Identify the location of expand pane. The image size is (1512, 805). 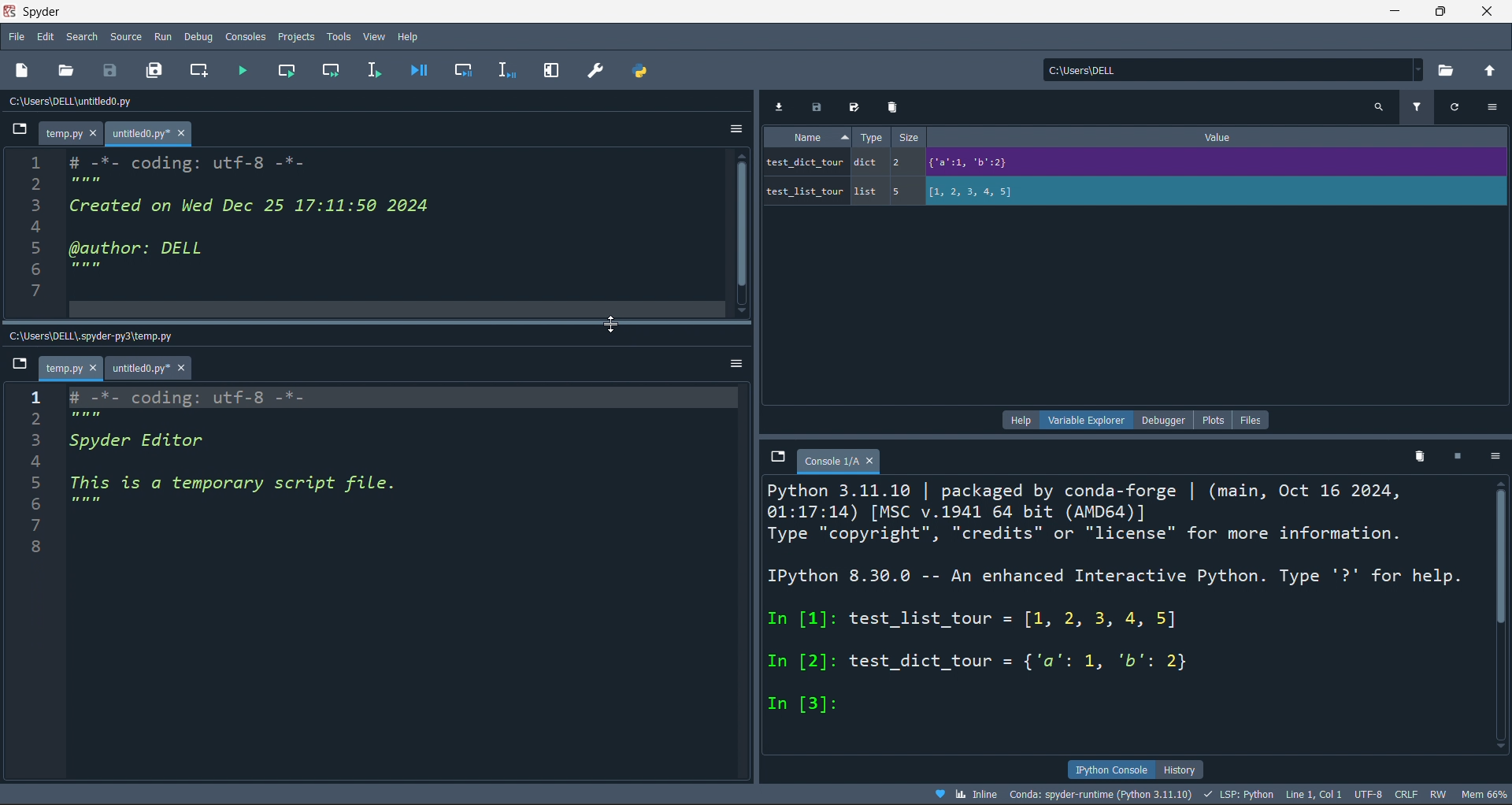
(552, 71).